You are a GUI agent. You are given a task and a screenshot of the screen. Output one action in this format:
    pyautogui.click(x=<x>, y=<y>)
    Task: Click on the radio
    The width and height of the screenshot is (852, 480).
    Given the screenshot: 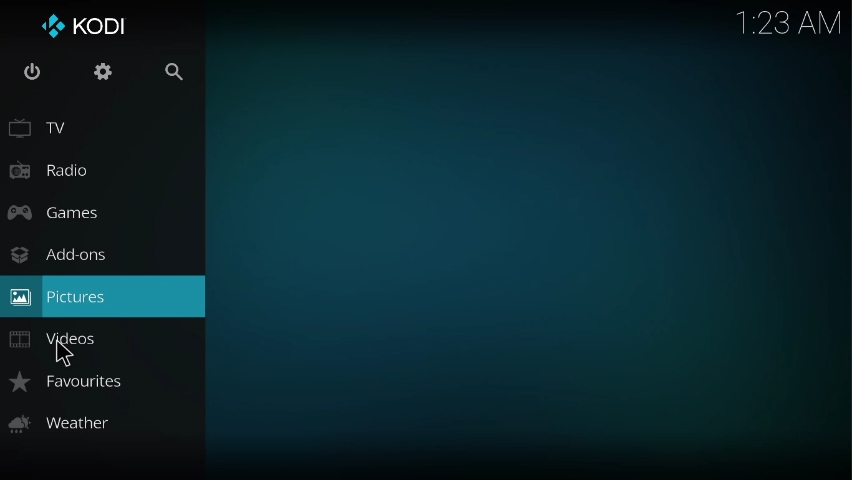 What is the action you would take?
    pyautogui.click(x=50, y=170)
    